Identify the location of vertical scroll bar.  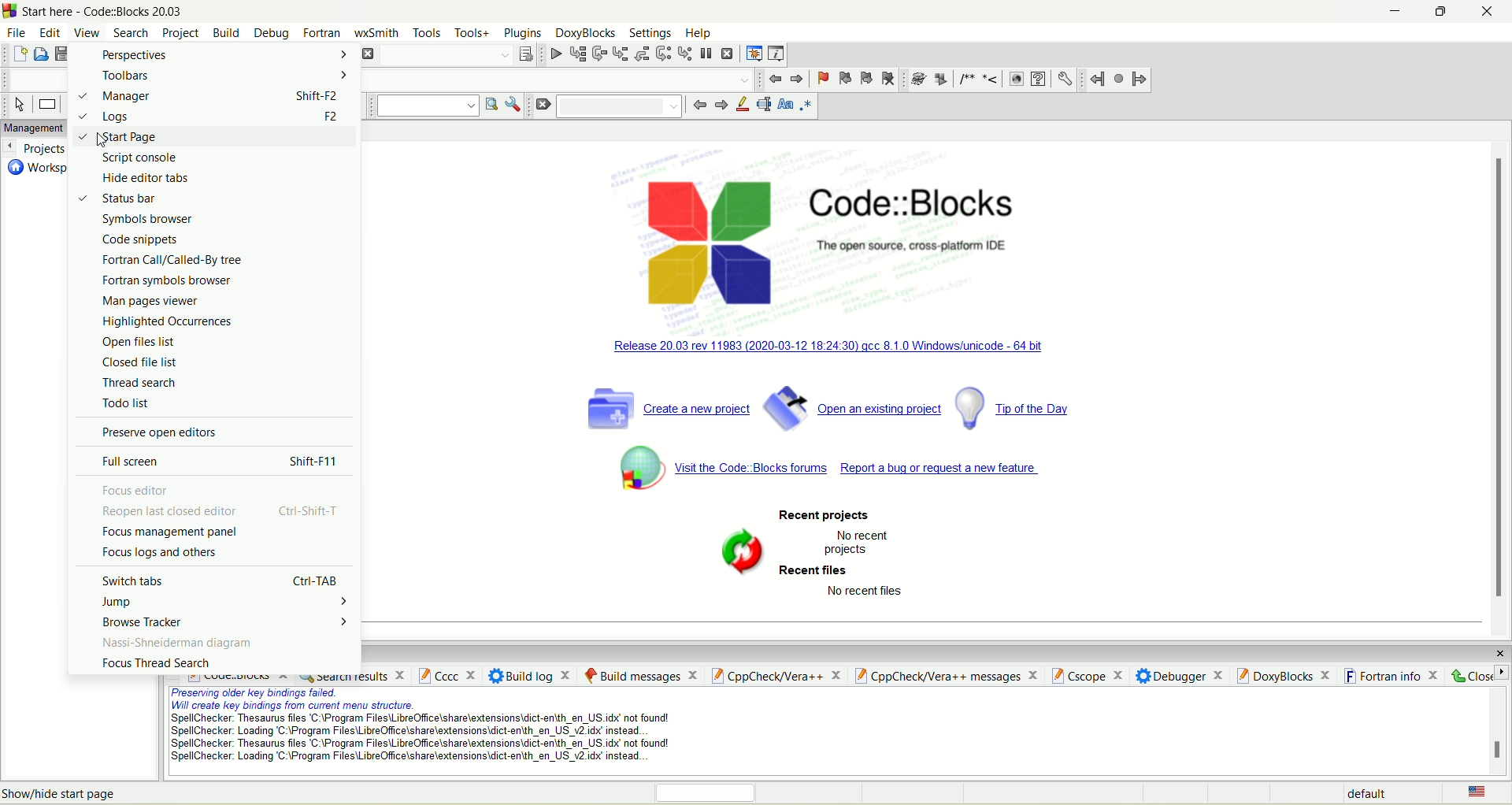
(1503, 381).